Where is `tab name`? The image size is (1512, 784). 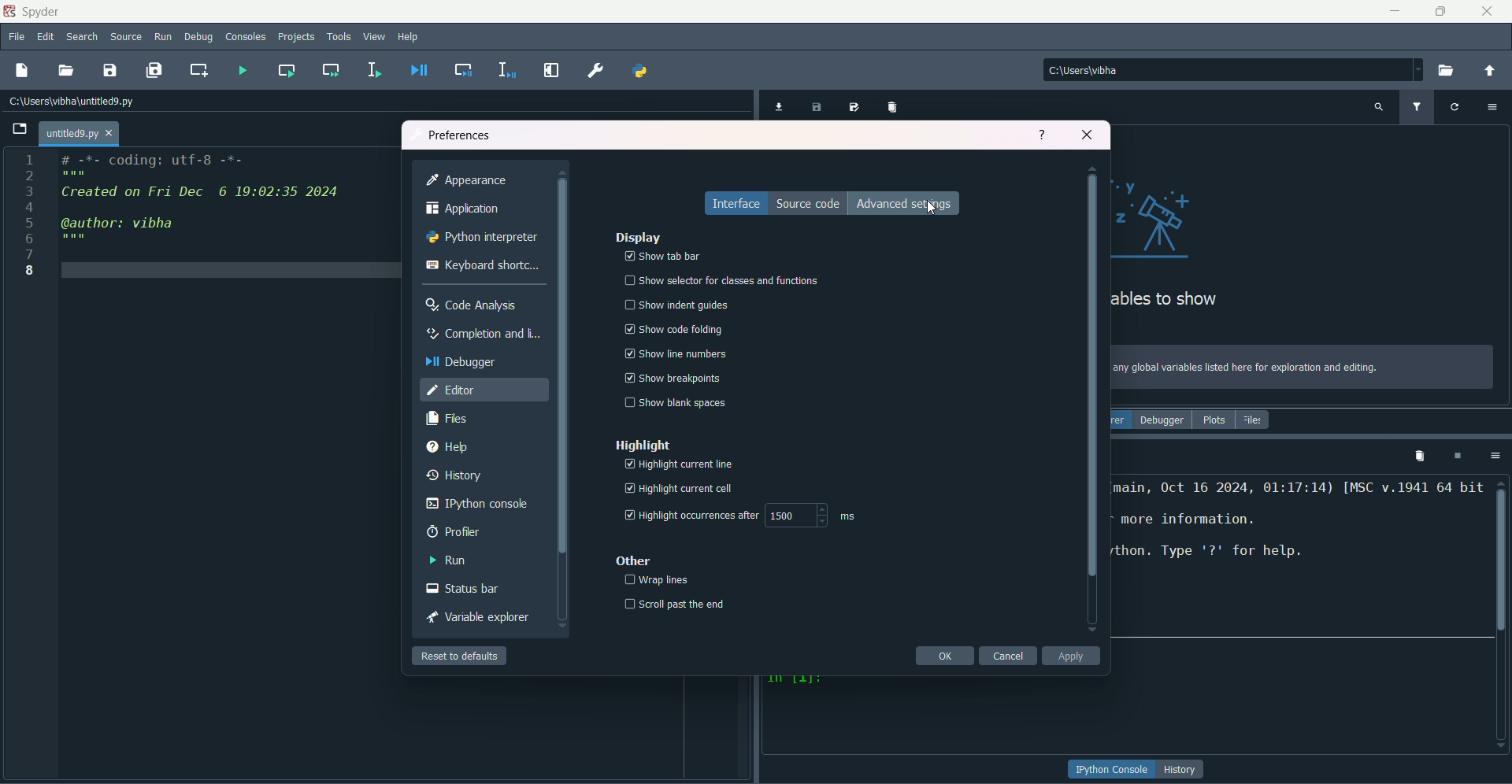 tab name is located at coordinates (79, 133).